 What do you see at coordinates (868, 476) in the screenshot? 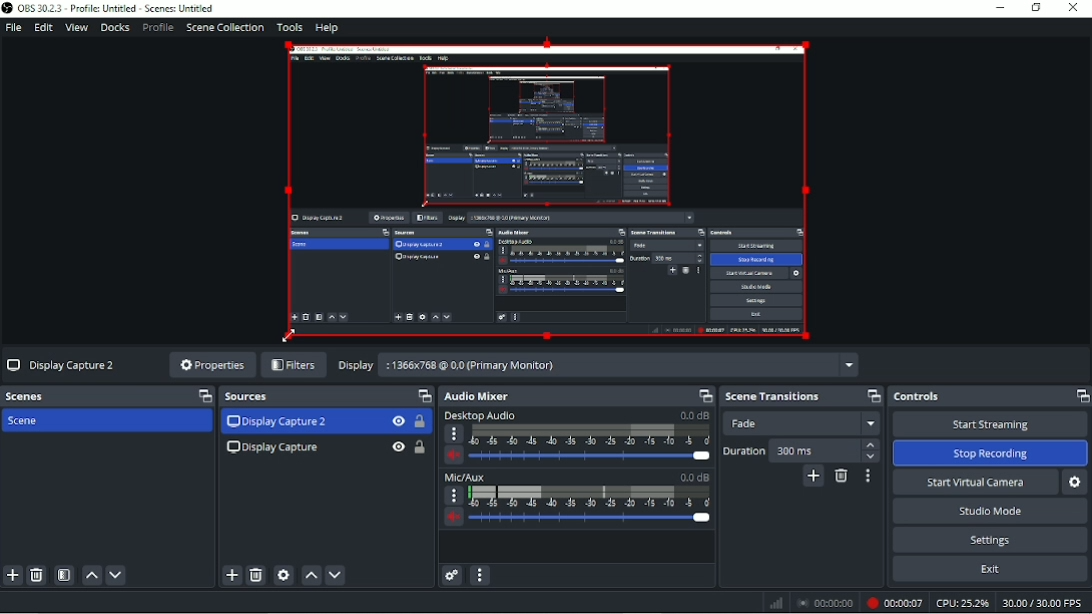
I see `Transition properties` at bounding box center [868, 476].